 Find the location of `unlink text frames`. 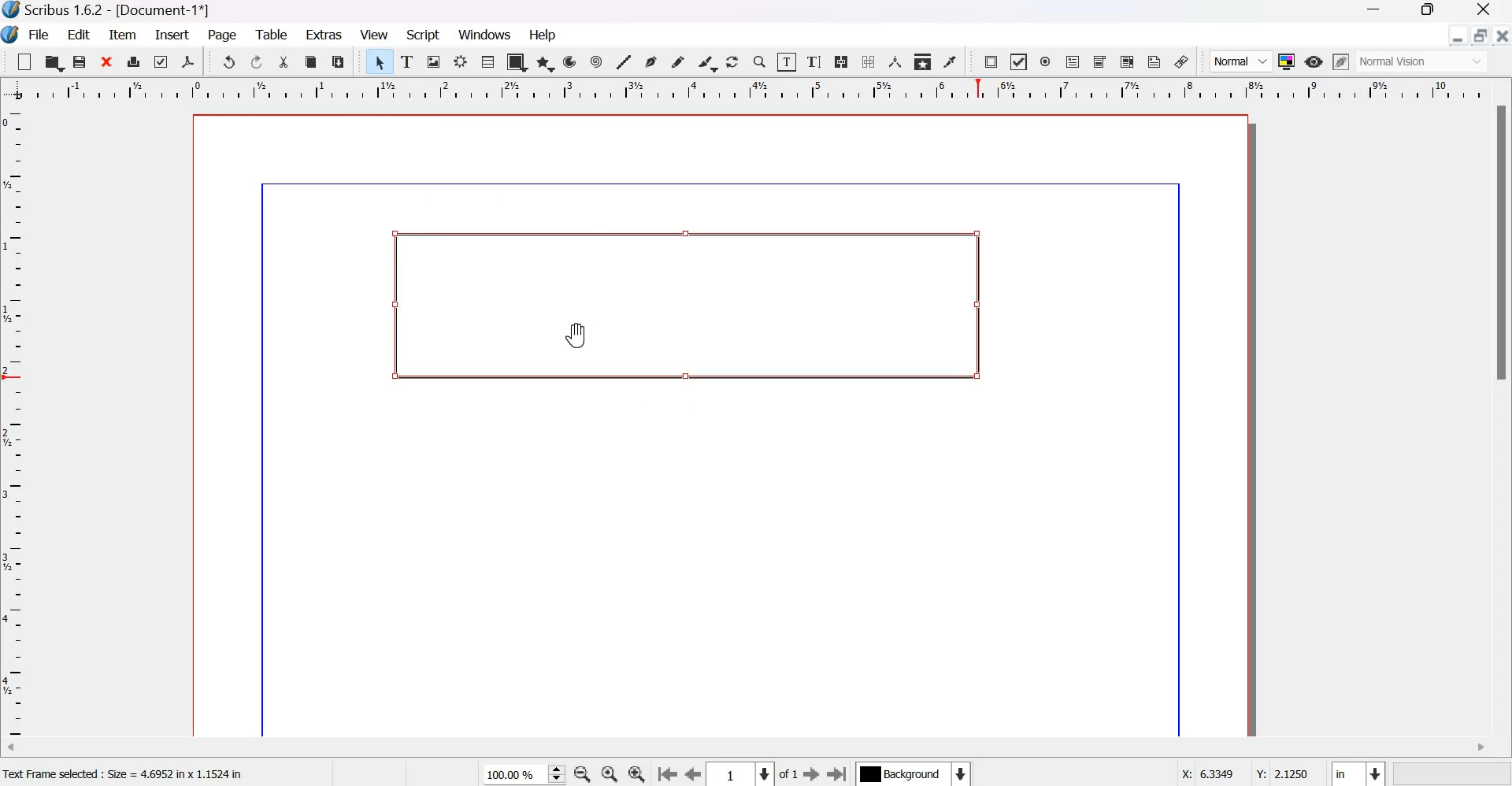

unlink text frames is located at coordinates (867, 61).